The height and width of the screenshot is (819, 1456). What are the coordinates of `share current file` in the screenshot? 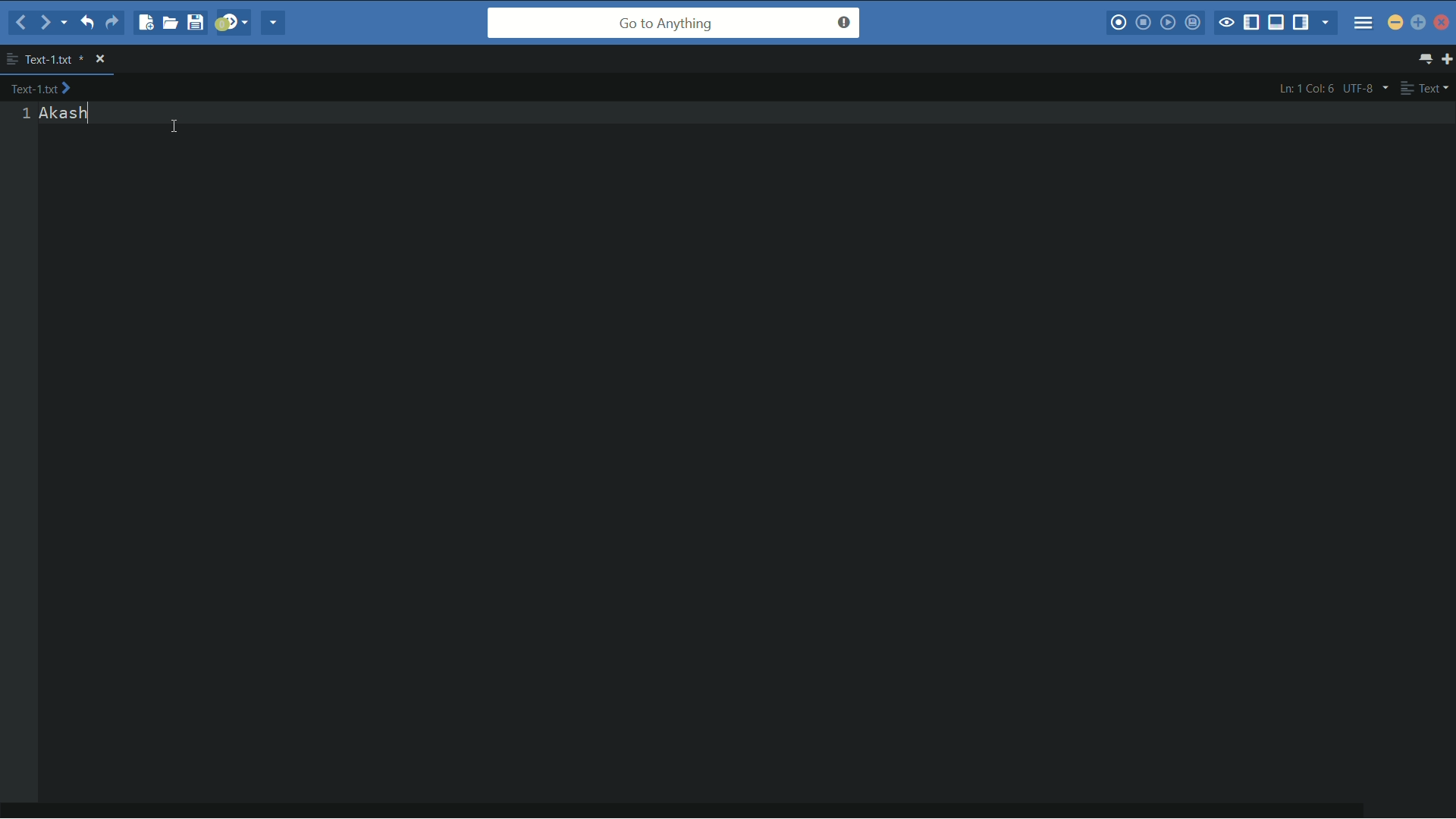 It's located at (274, 22).